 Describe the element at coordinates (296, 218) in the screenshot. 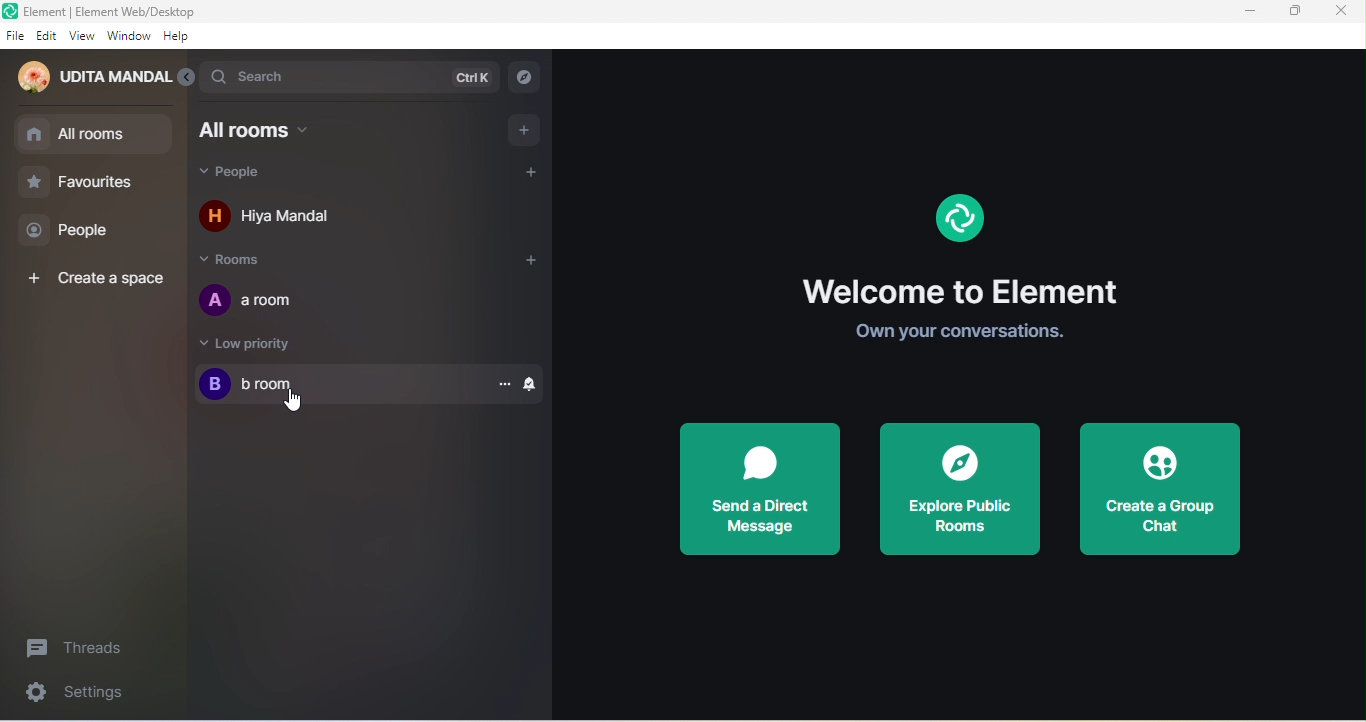

I see `hiya mandal` at that location.